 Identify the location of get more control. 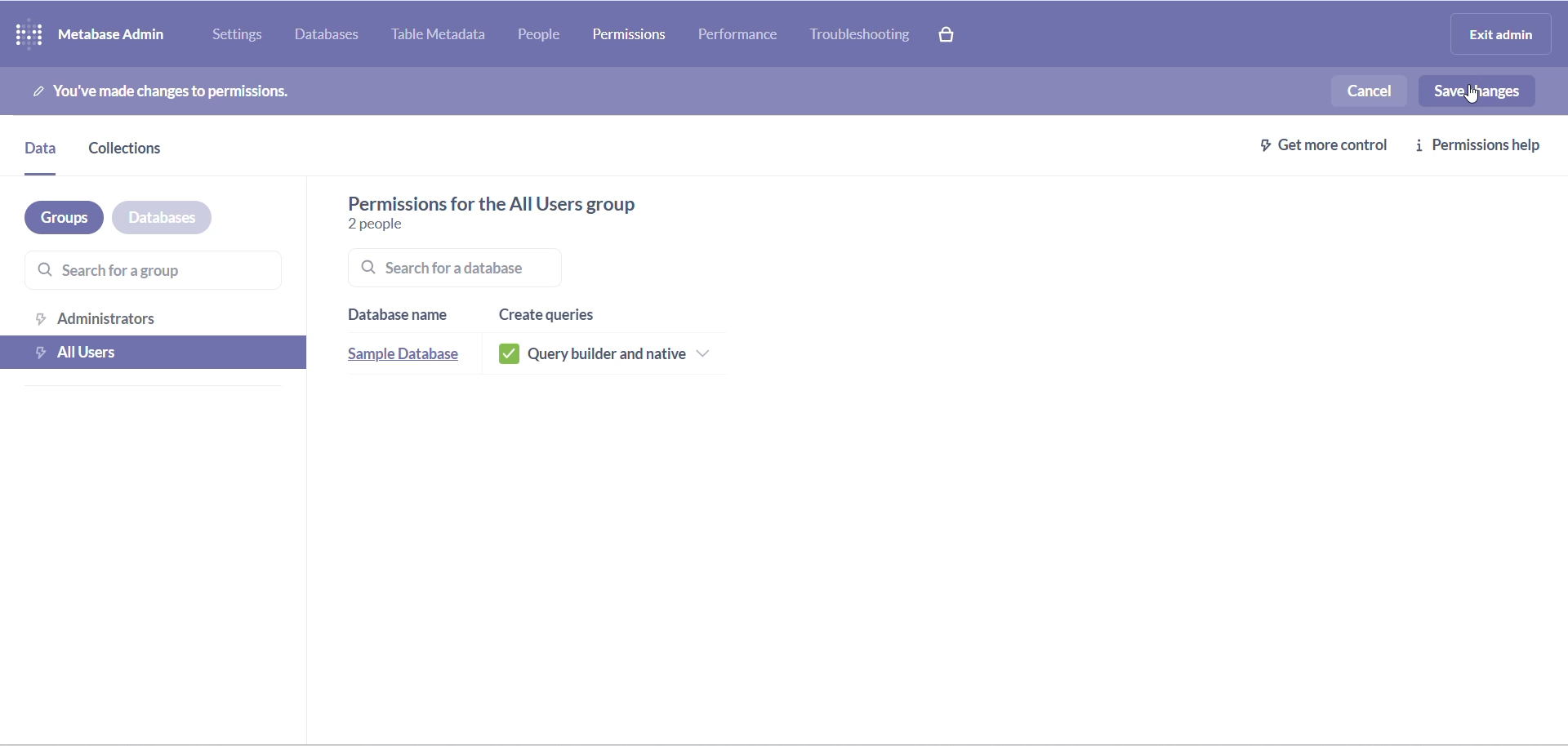
(1314, 144).